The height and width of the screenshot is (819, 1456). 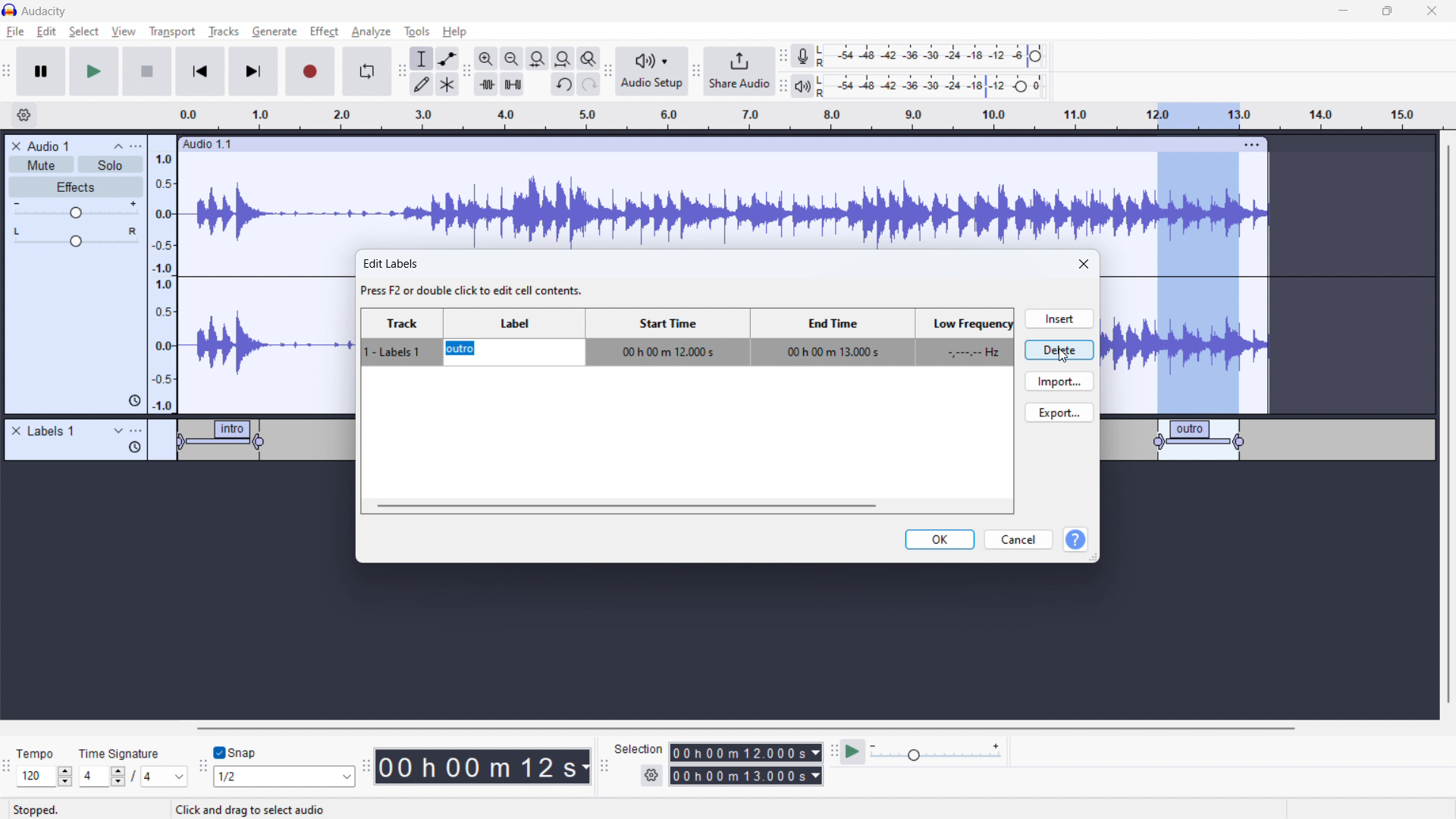 What do you see at coordinates (415, 31) in the screenshot?
I see `tools` at bounding box center [415, 31].